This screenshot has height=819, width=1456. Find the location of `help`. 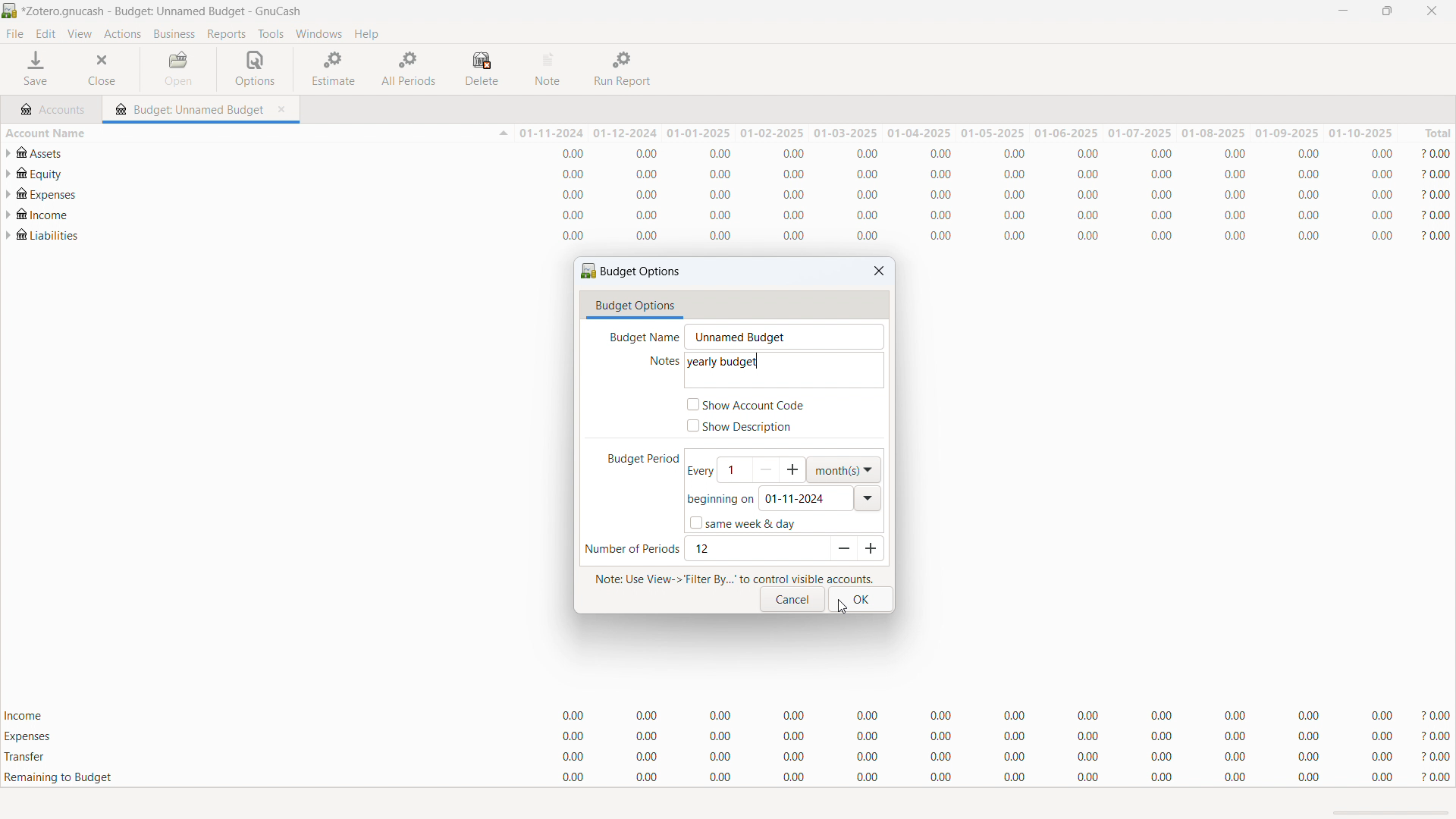

help is located at coordinates (366, 33).